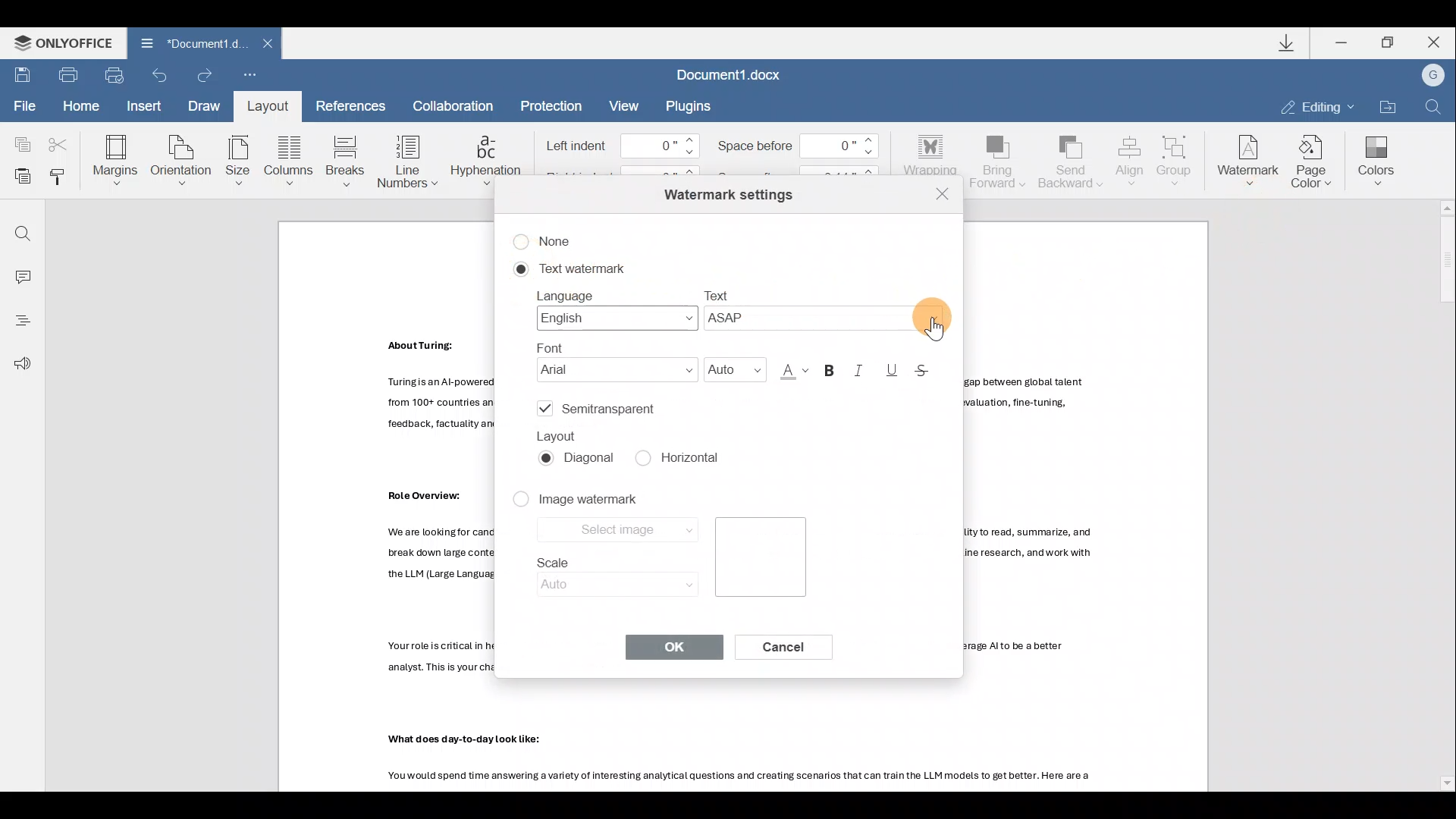  Describe the element at coordinates (488, 162) in the screenshot. I see `Hyphenation` at that location.